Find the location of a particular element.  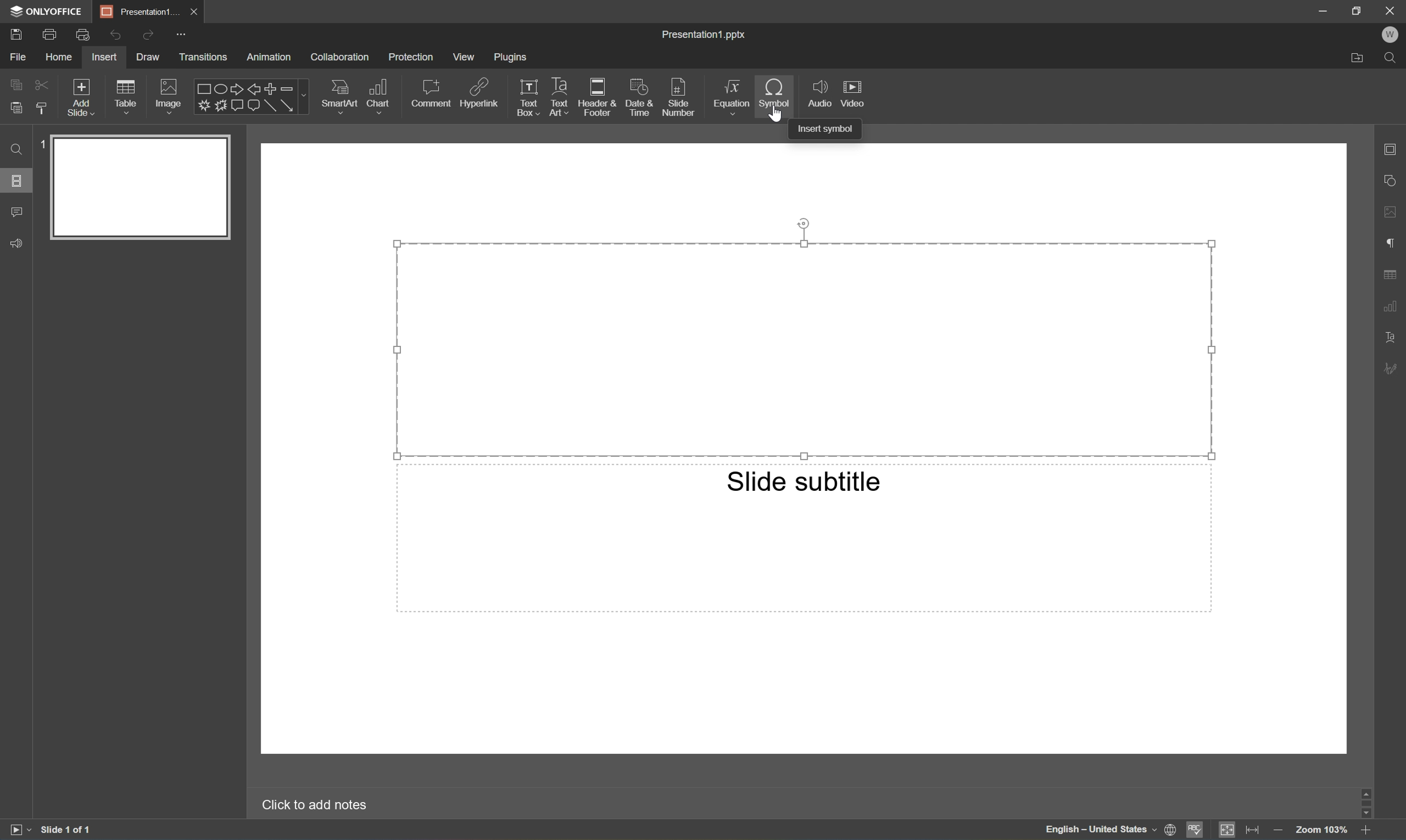

Text Art is located at coordinates (557, 96).